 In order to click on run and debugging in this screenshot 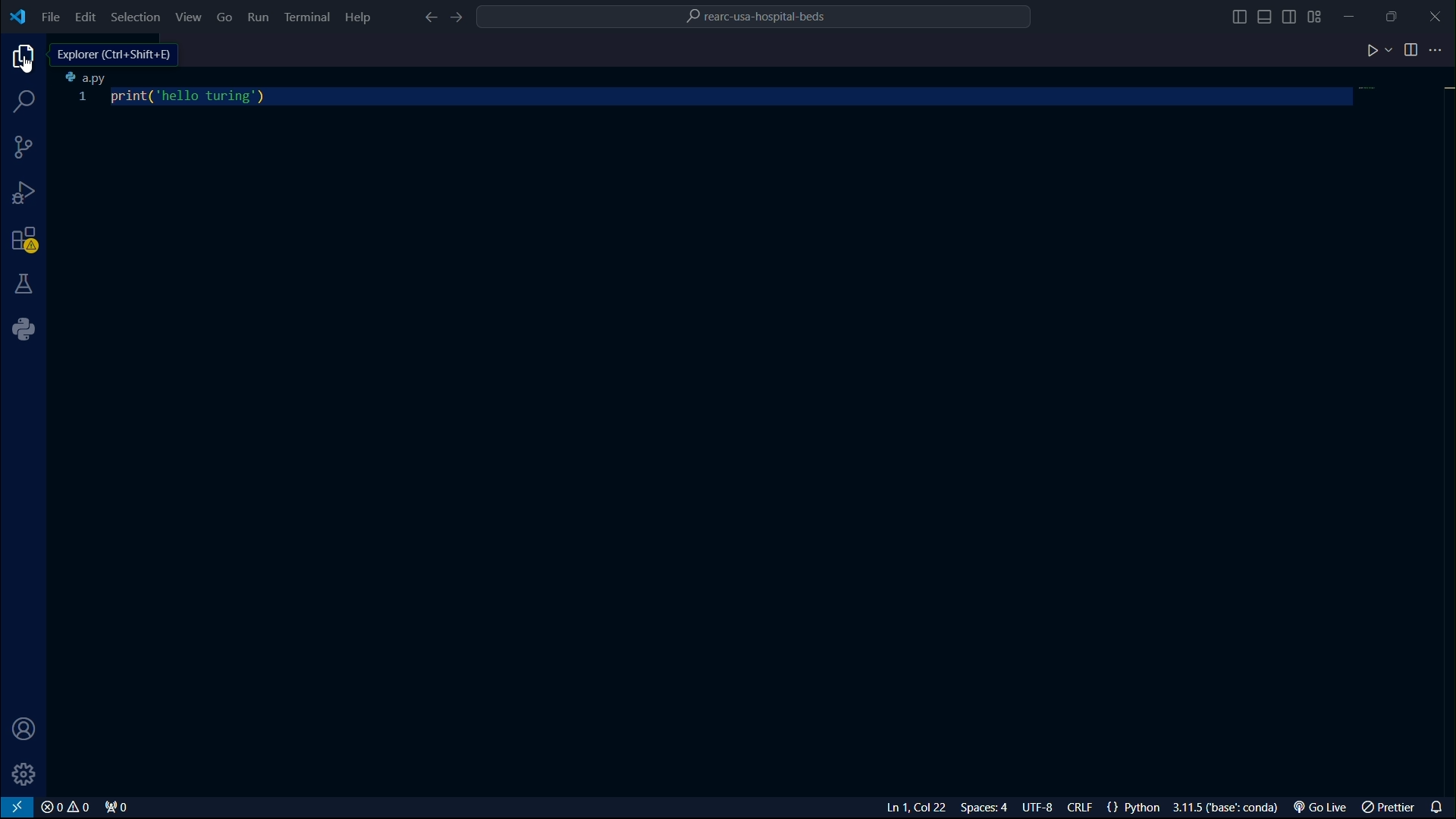, I will do `click(25, 194)`.